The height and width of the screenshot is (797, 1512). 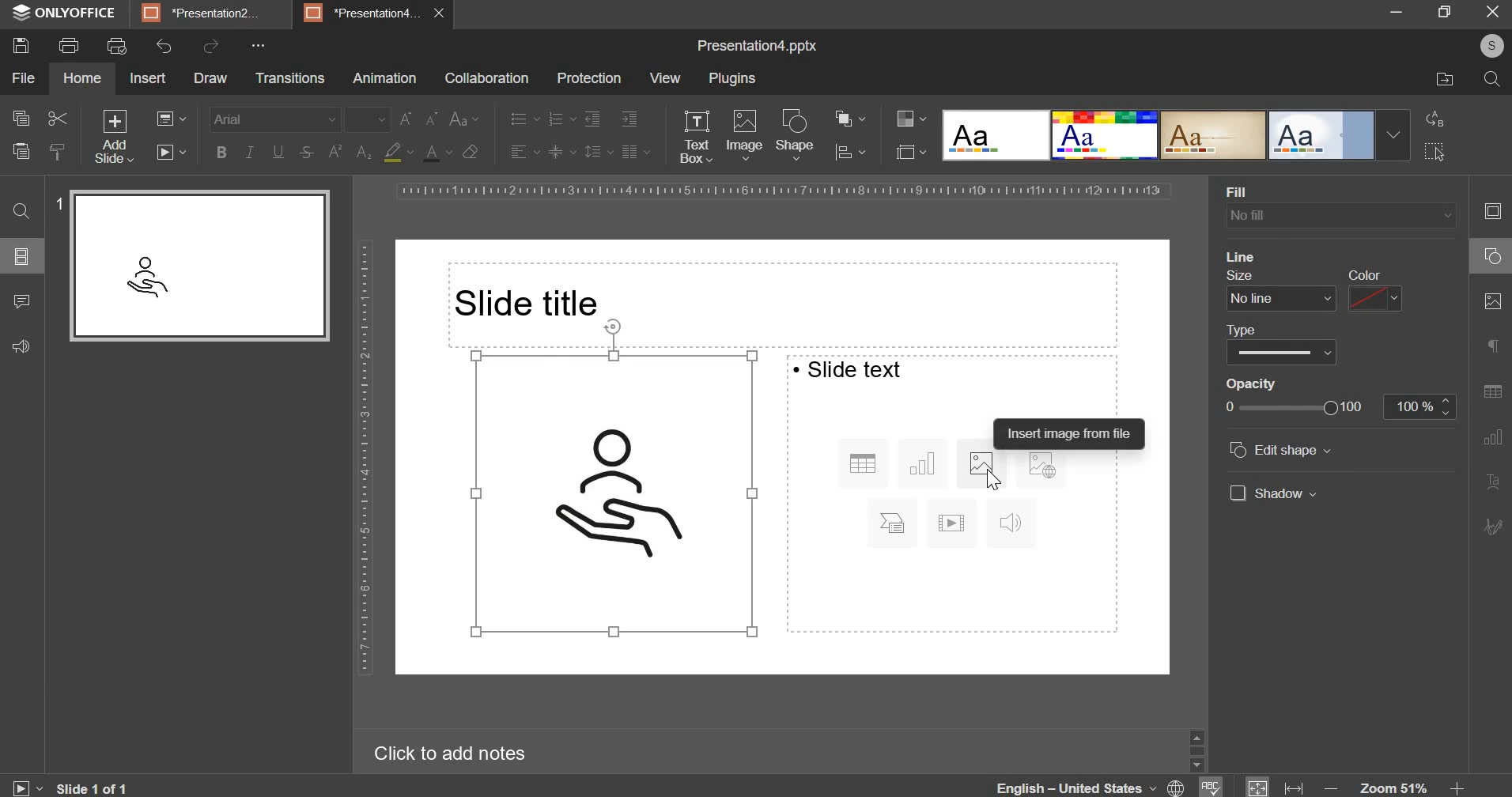 I want to click on onlyoffice, so click(x=65, y=13).